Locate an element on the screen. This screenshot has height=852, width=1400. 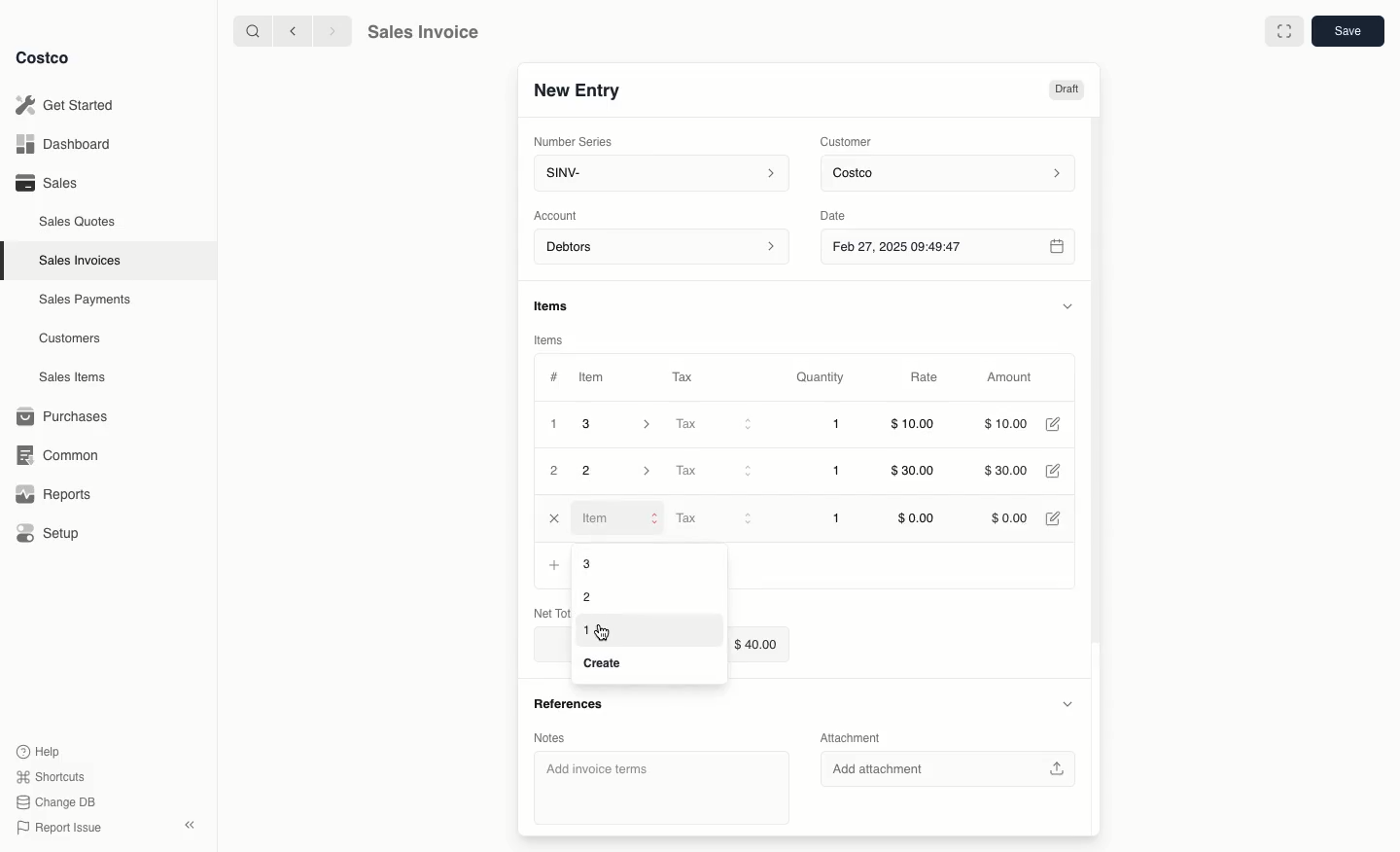
Edit is located at coordinates (1057, 472).